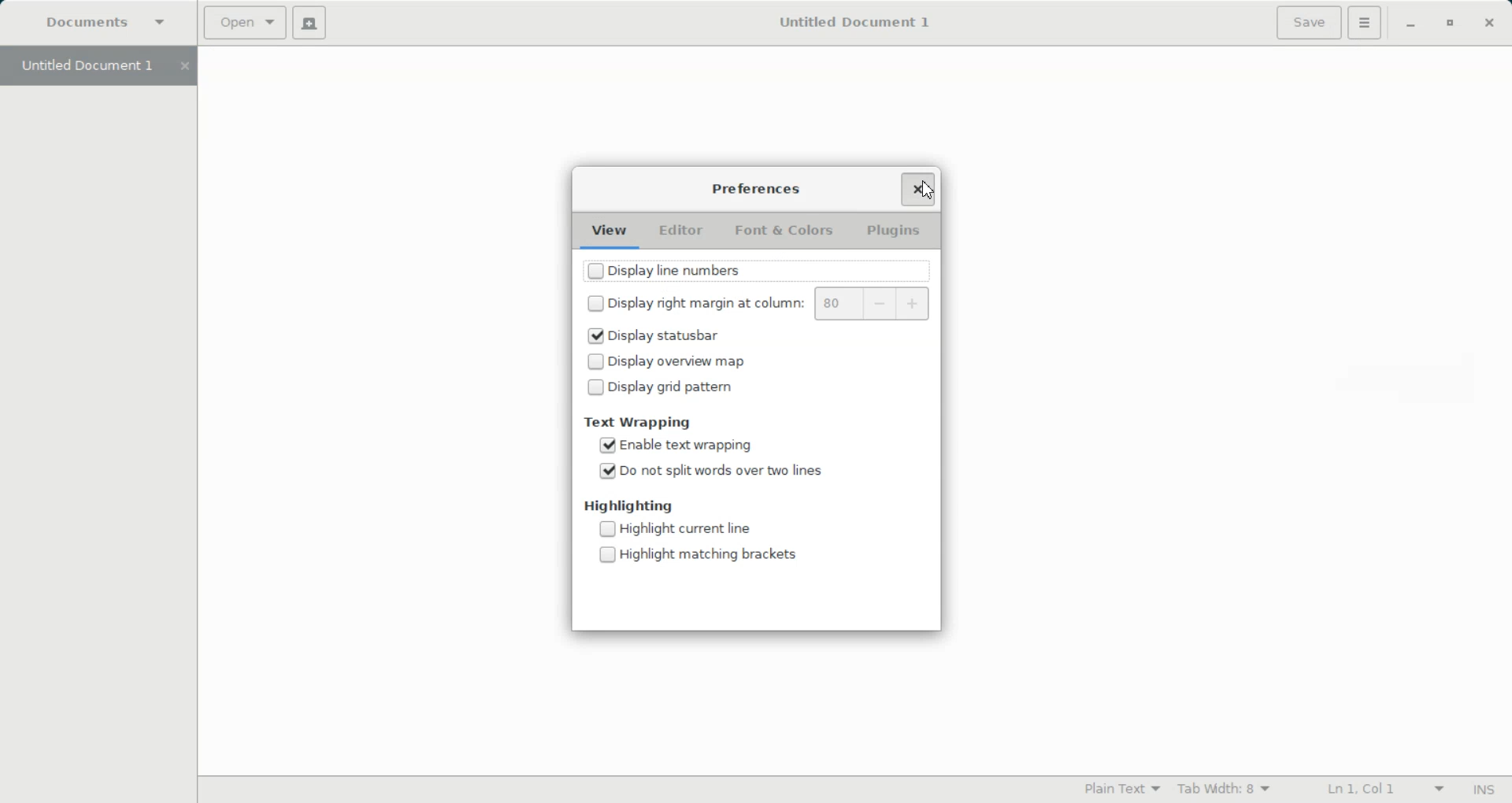  What do you see at coordinates (1451, 24) in the screenshot?
I see `Maximize` at bounding box center [1451, 24].